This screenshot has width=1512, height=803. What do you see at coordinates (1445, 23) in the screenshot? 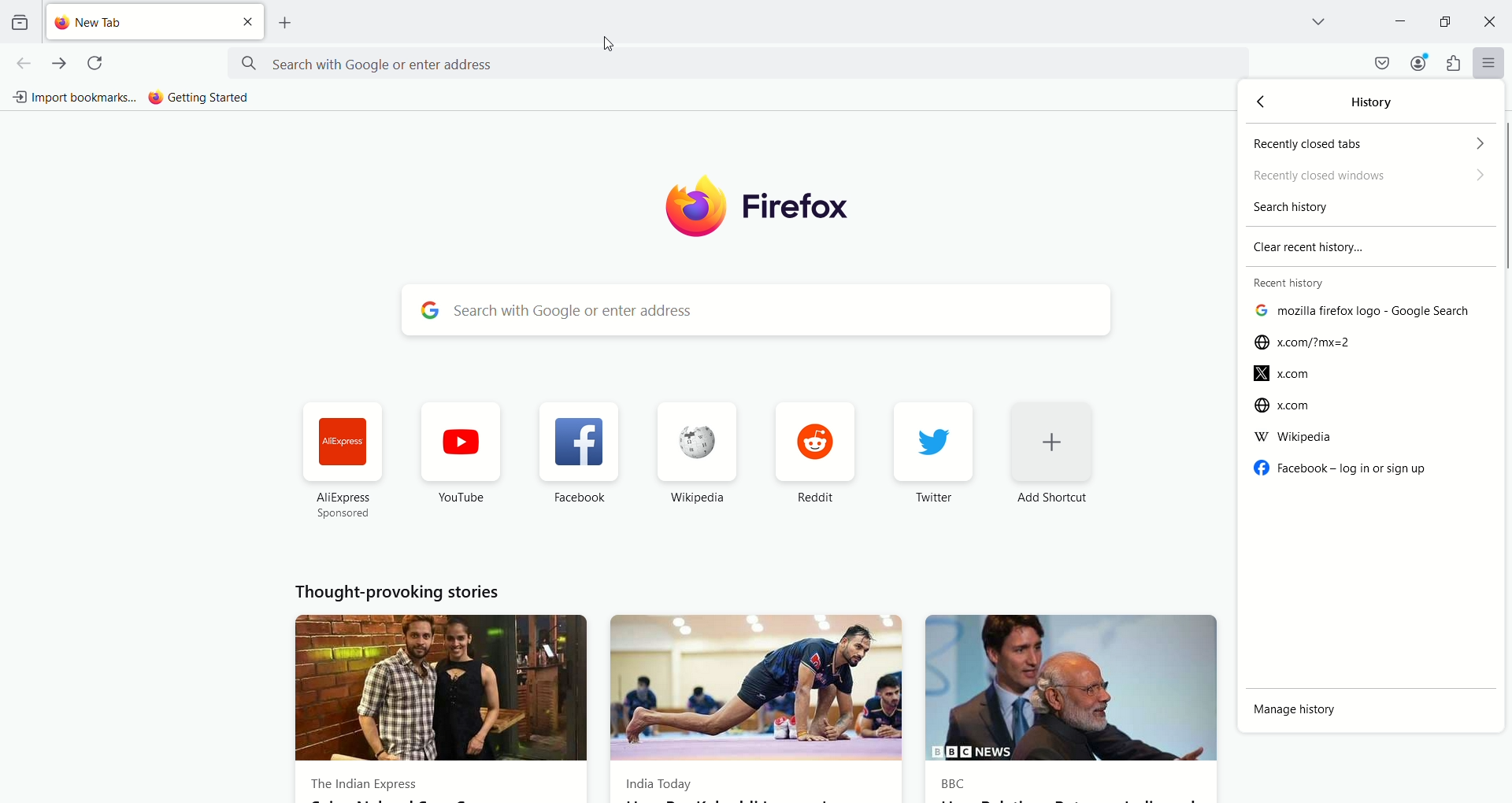
I see `maximize` at bounding box center [1445, 23].